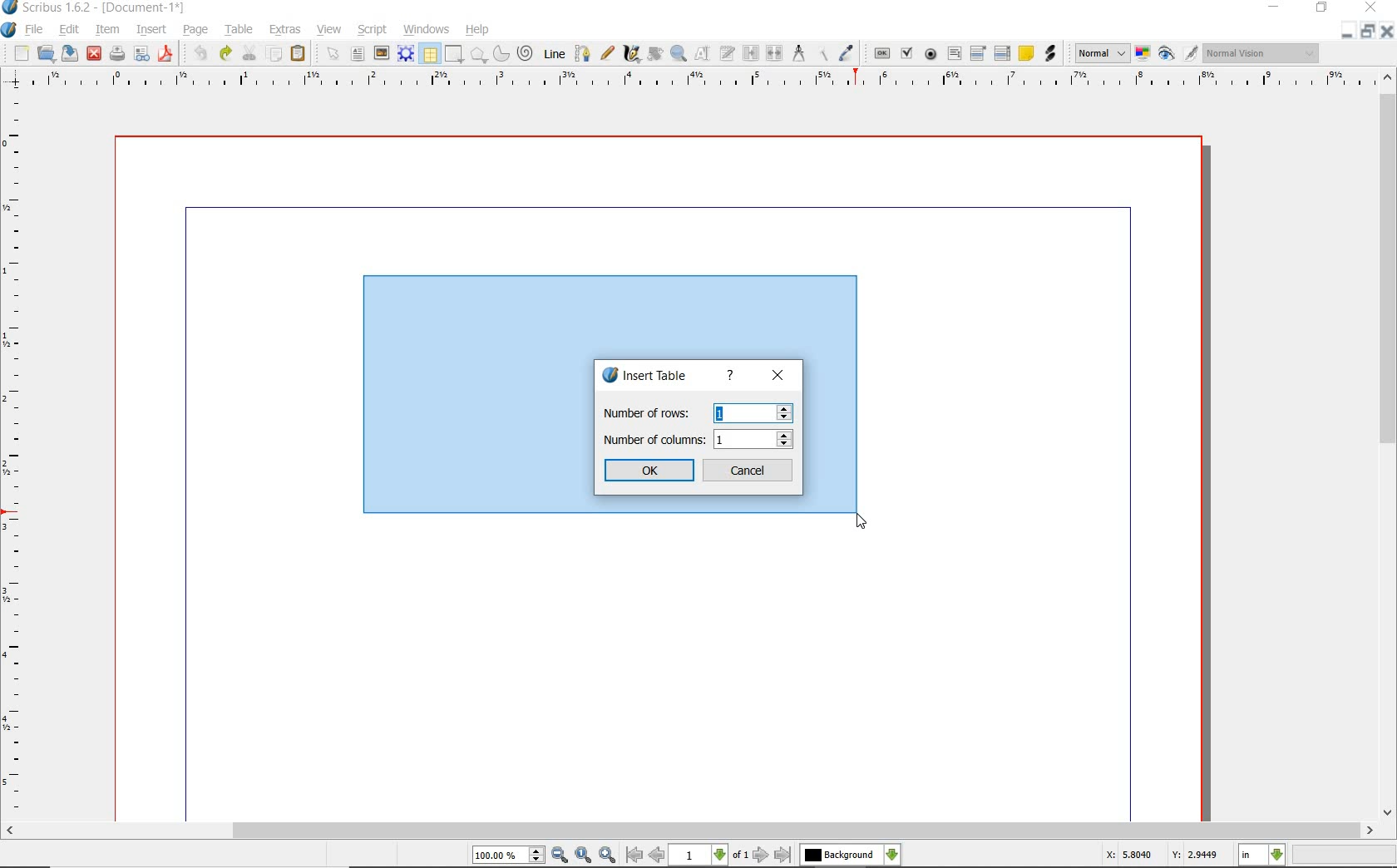 The height and width of the screenshot is (868, 1397). What do you see at coordinates (776, 53) in the screenshot?
I see `unlink text frames` at bounding box center [776, 53].